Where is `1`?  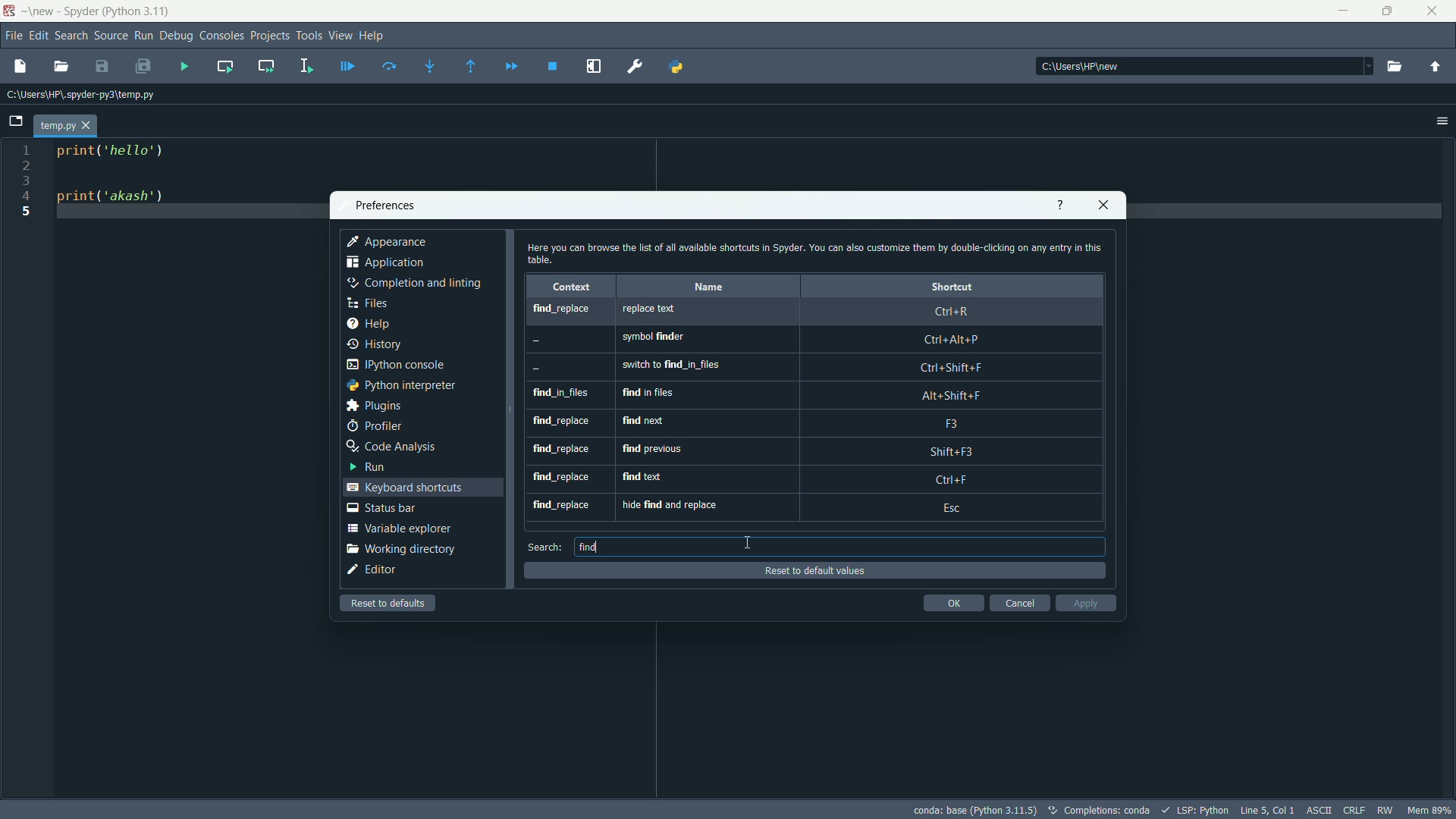
1 is located at coordinates (29, 148).